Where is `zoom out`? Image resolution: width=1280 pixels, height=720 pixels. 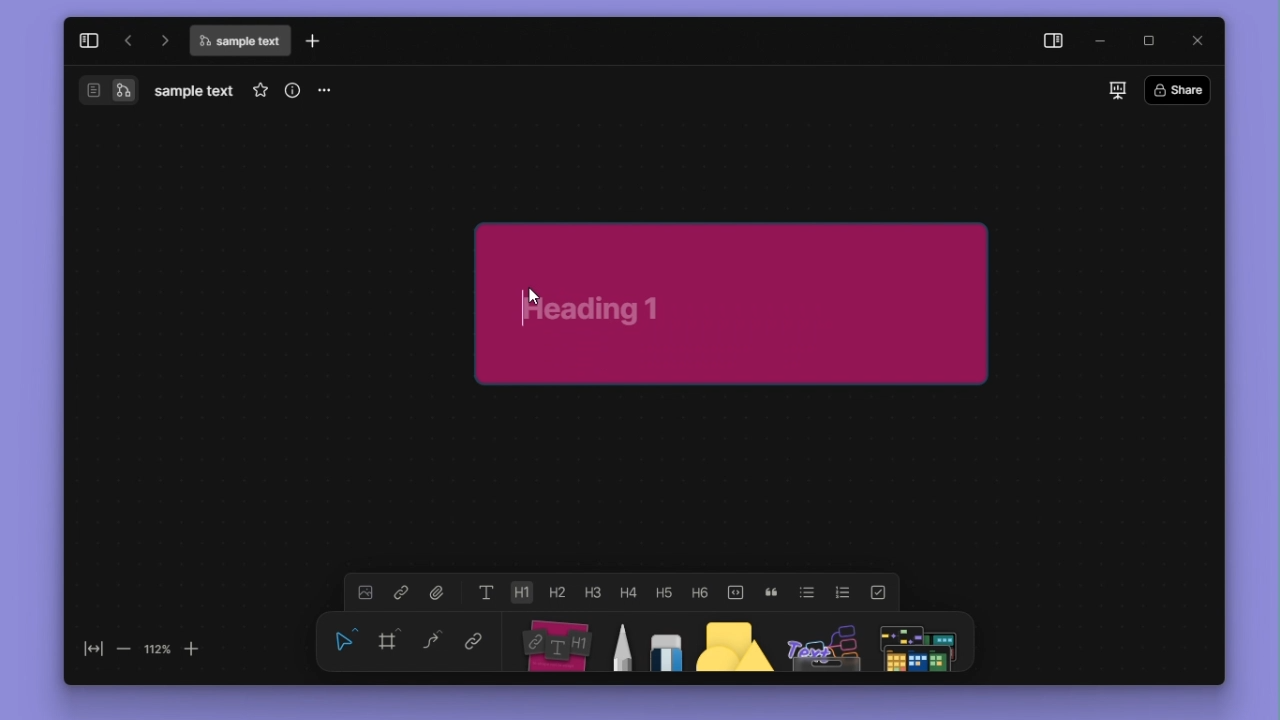 zoom out is located at coordinates (125, 650).